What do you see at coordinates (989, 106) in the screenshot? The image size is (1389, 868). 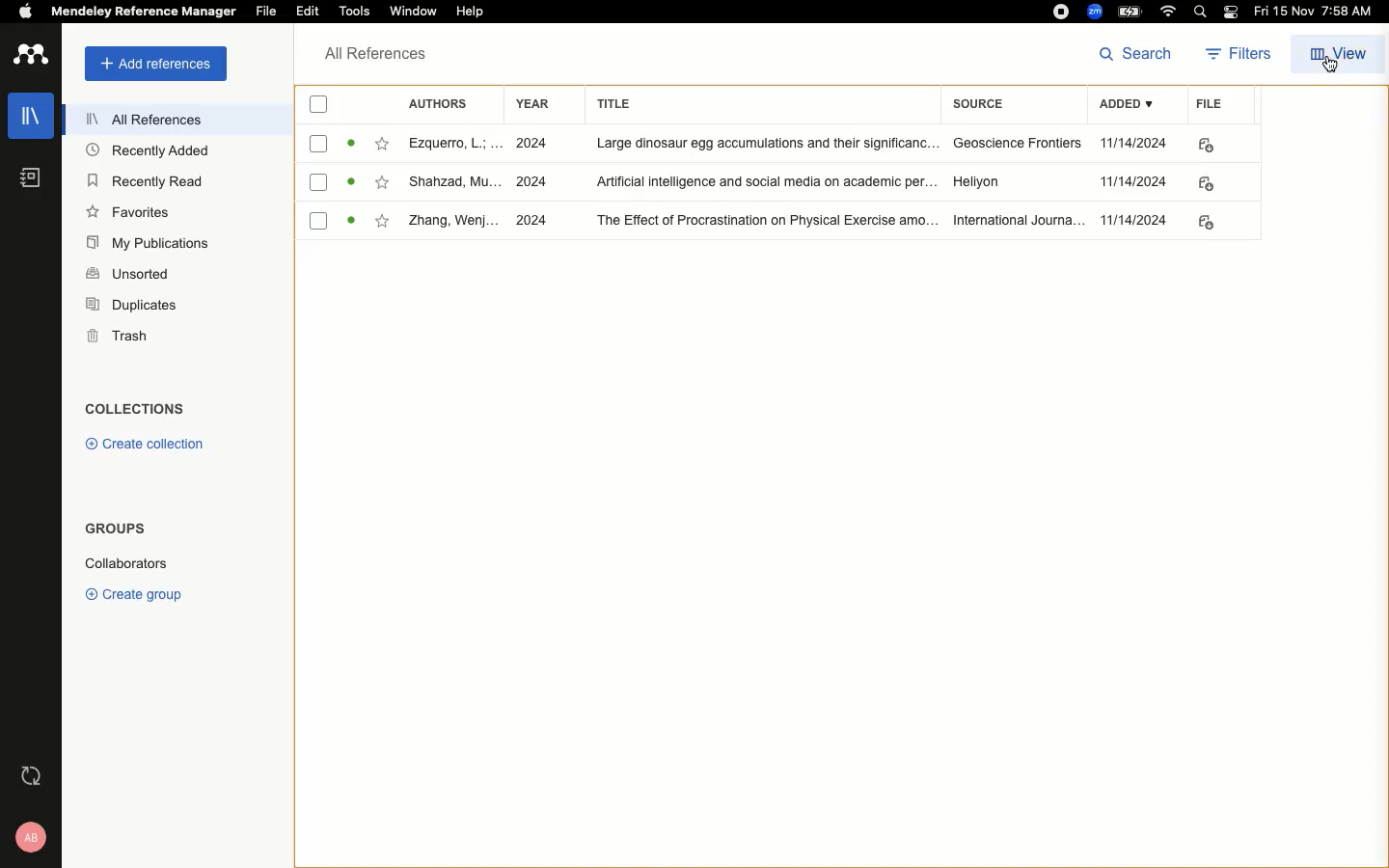 I see `Source` at bounding box center [989, 106].